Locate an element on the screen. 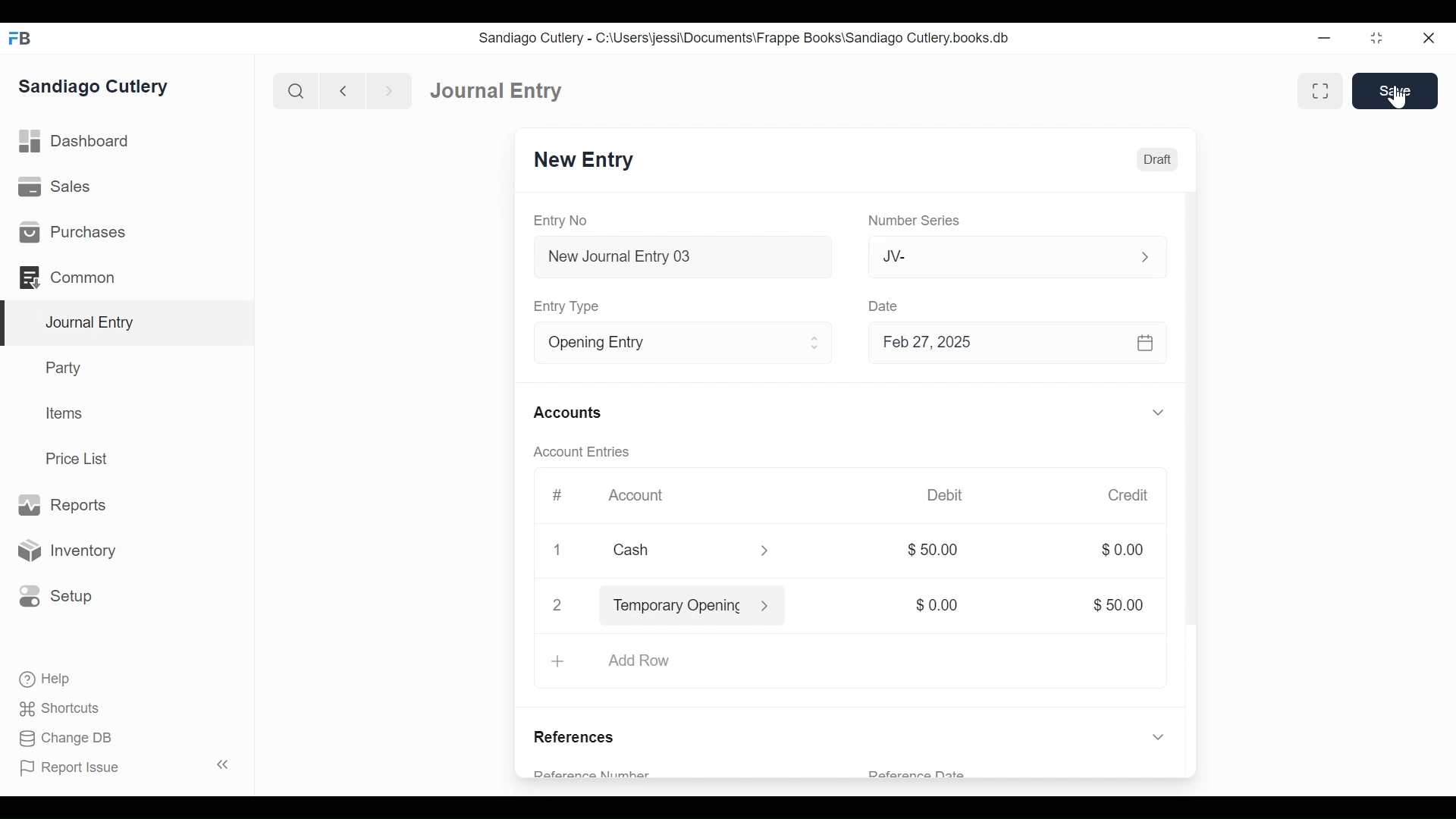 The height and width of the screenshot is (819, 1456). Entry No is located at coordinates (560, 221).